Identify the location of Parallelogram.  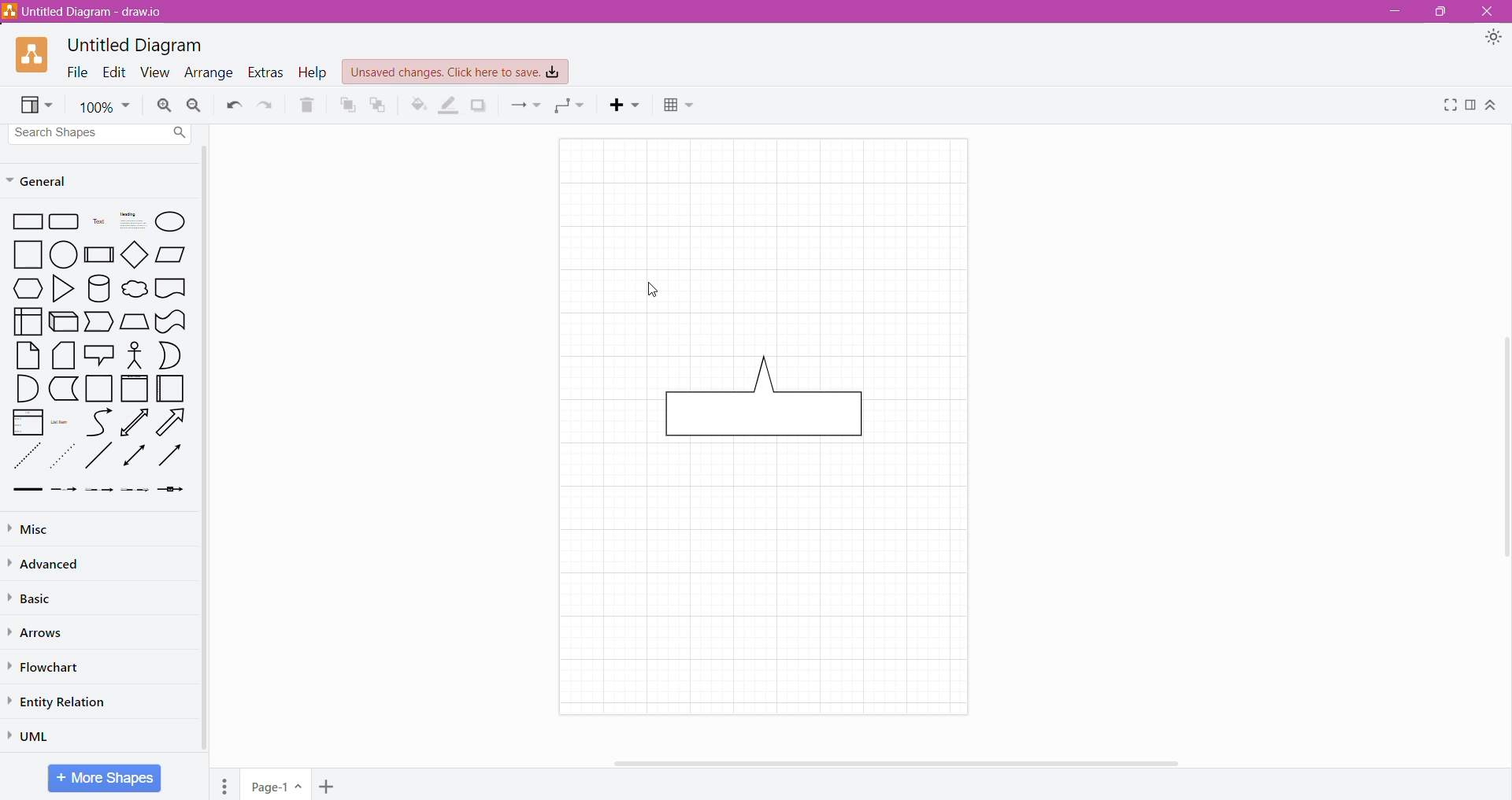
(171, 254).